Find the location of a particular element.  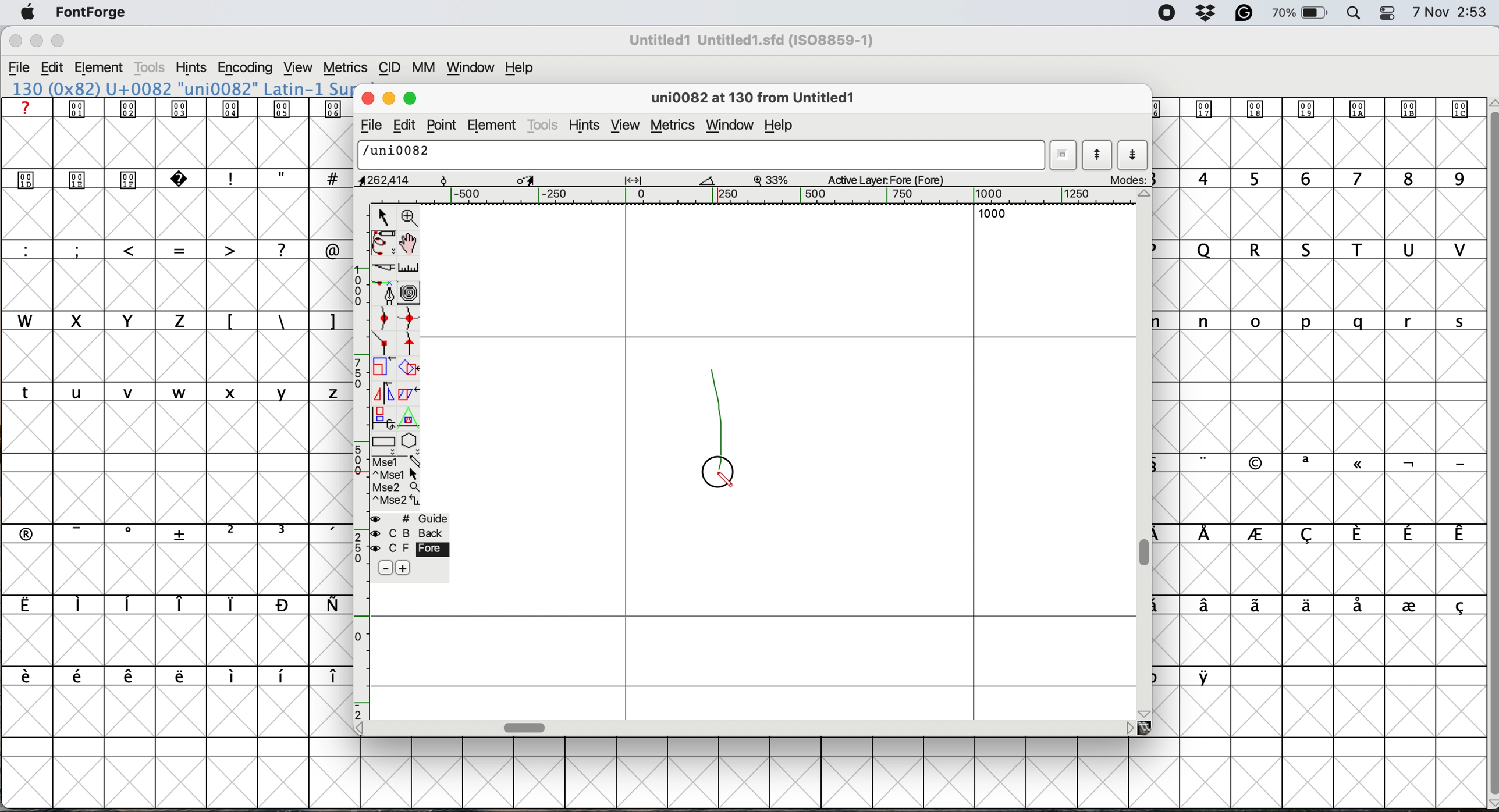

special characters is located at coordinates (171, 606).